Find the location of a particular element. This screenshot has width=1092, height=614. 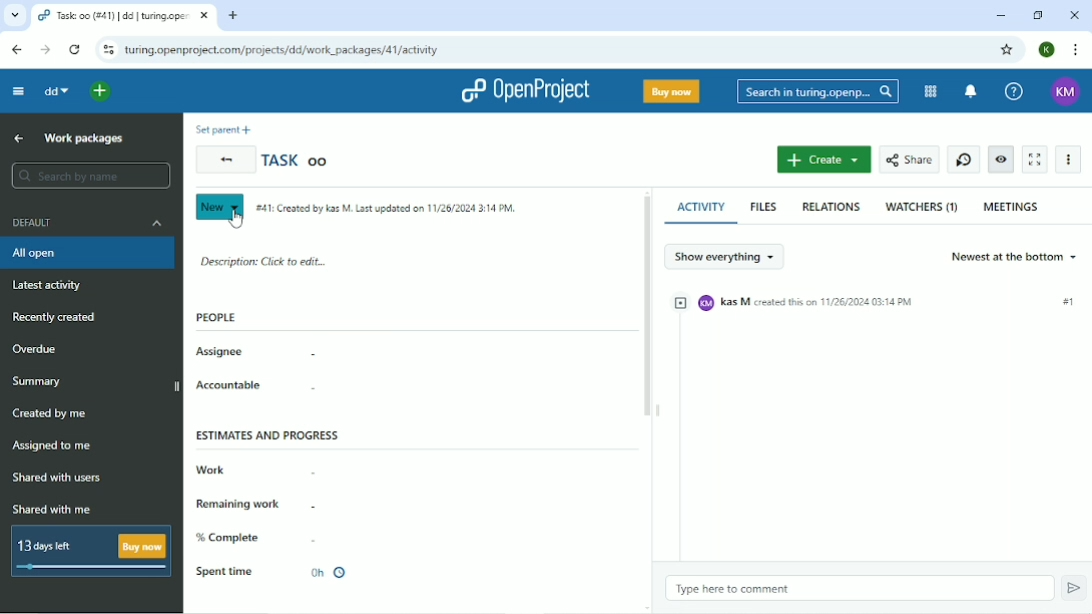

New tab is located at coordinates (233, 16).